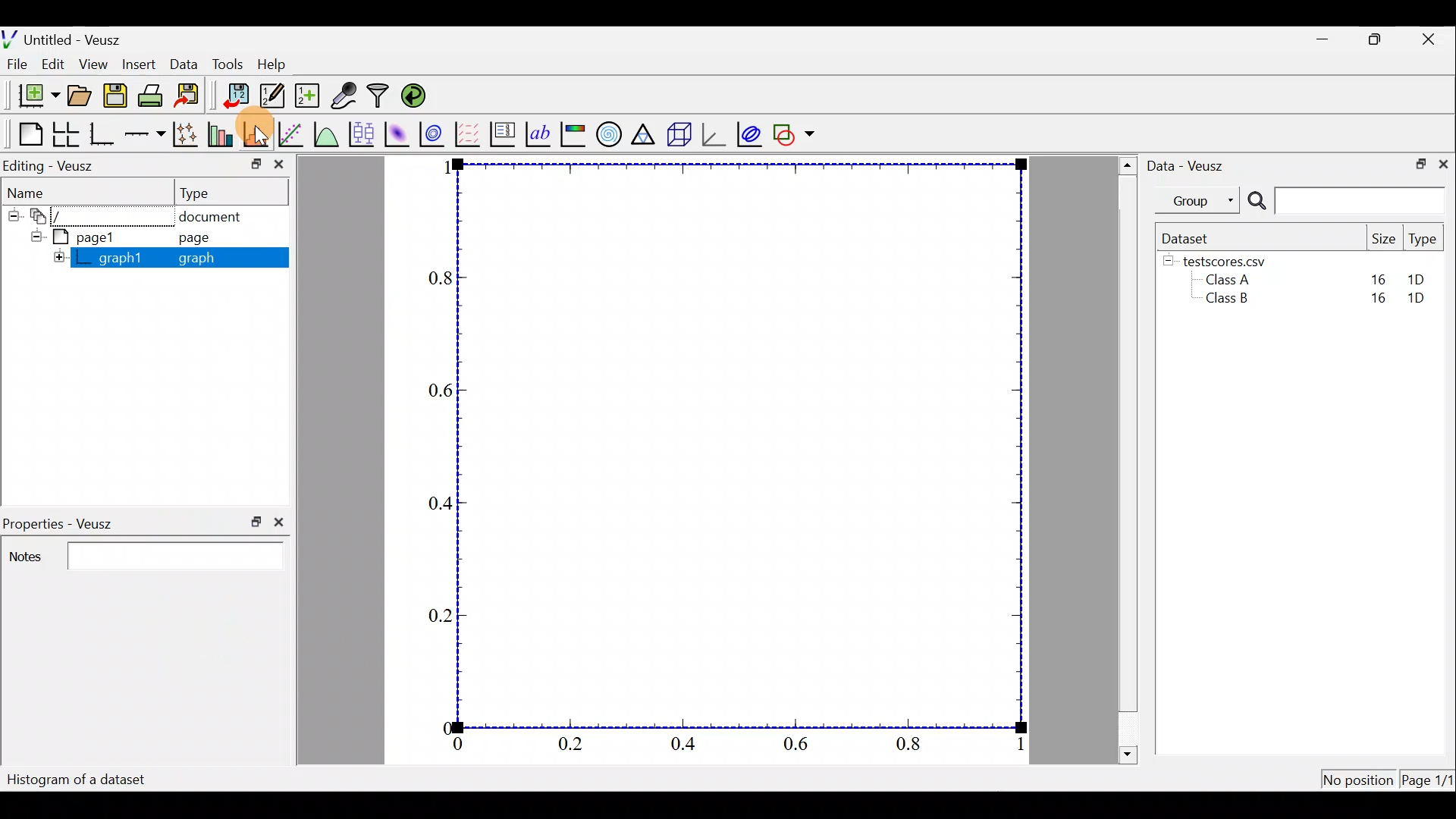  I want to click on Histogram of a dataset, so click(258, 134).